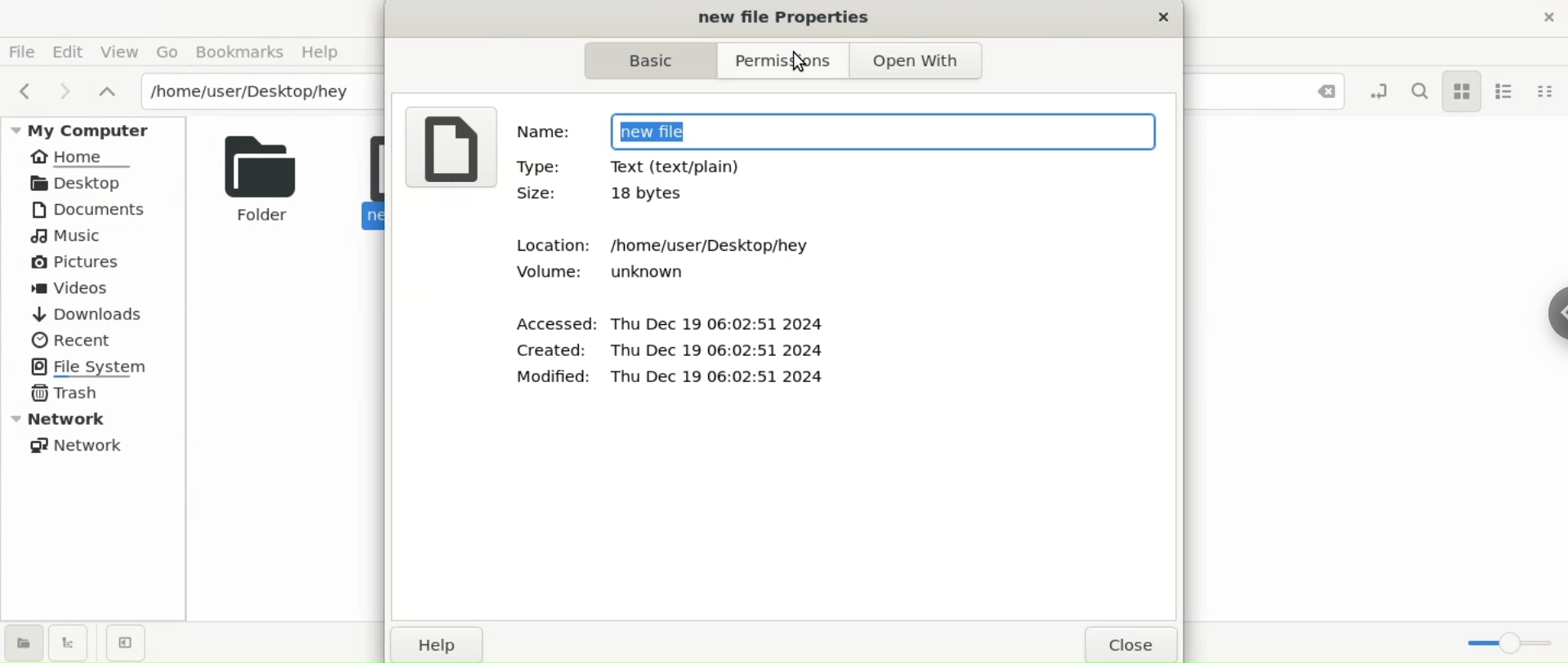 This screenshot has height=663, width=1568. Describe the element at coordinates (1382, 90) in the screenshot. I see `toggle location entry` at that location.